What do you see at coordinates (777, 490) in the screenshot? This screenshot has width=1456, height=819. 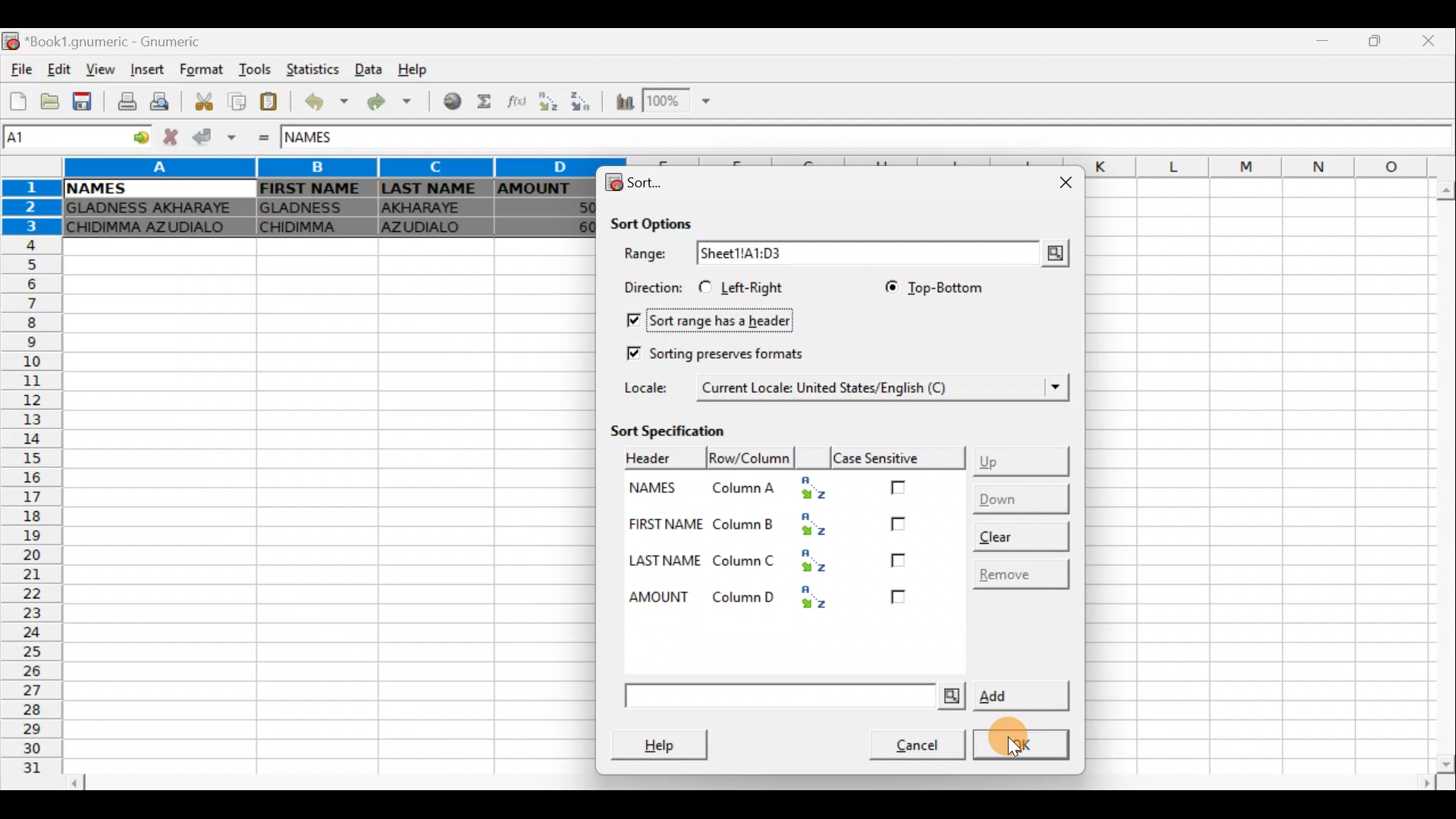 I see `Column A` at bounding box center [777, 490].